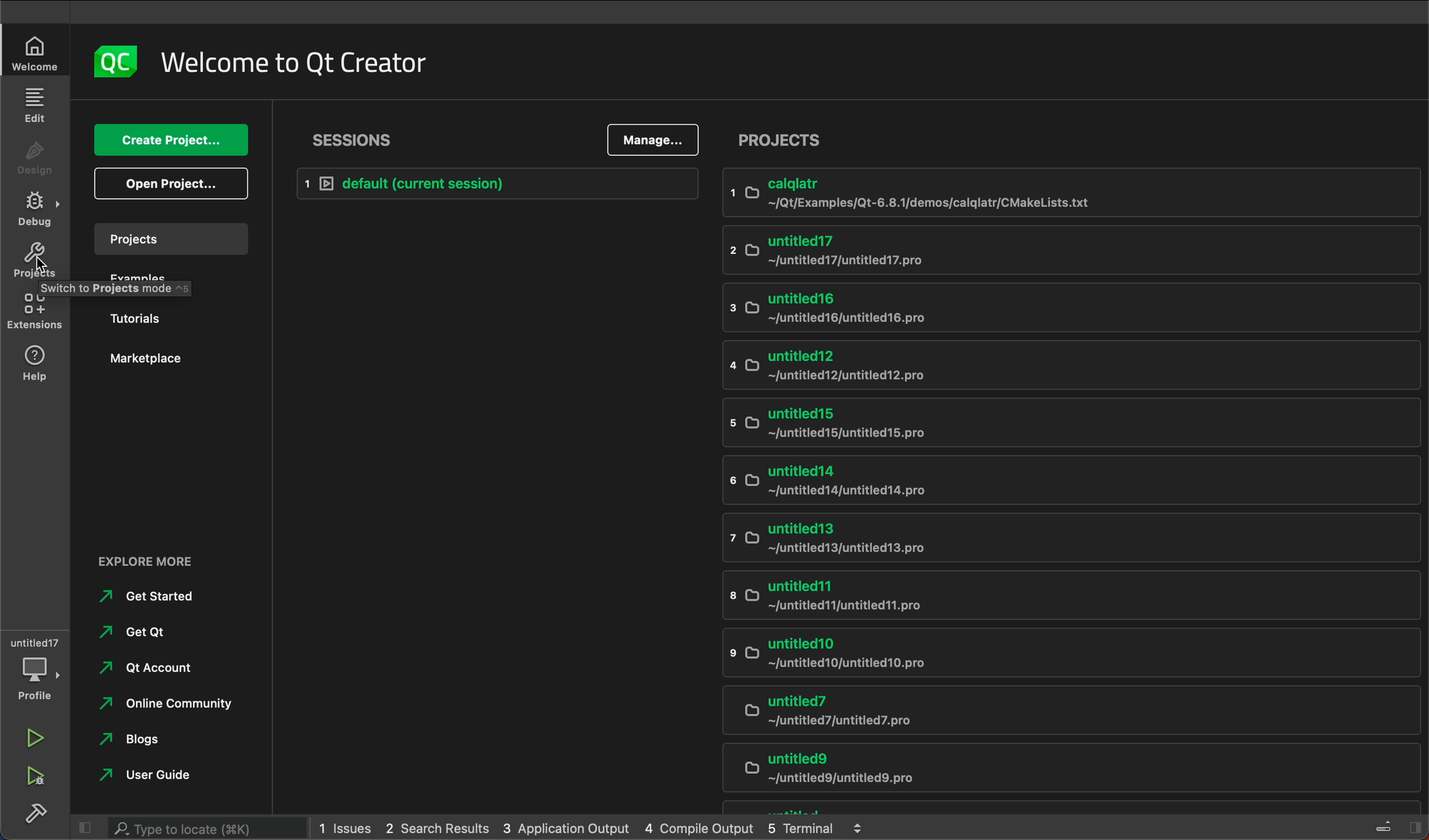 This screenshot has height=840, width=1429. Describe the element at coordinates (1076, 140) in the screenshot. I see `project list` at that location.